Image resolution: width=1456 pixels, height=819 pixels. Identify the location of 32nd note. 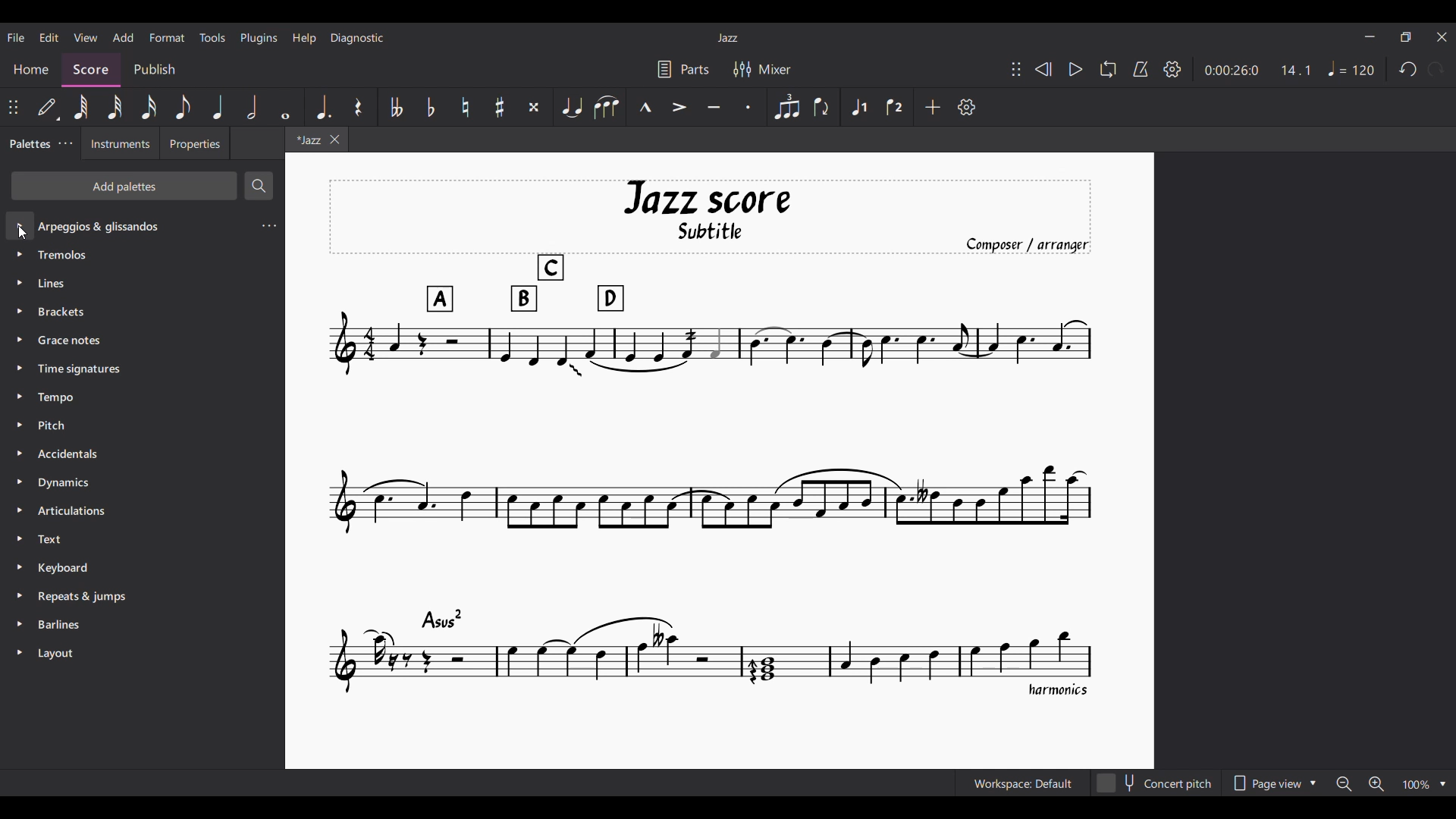
(115, 107).